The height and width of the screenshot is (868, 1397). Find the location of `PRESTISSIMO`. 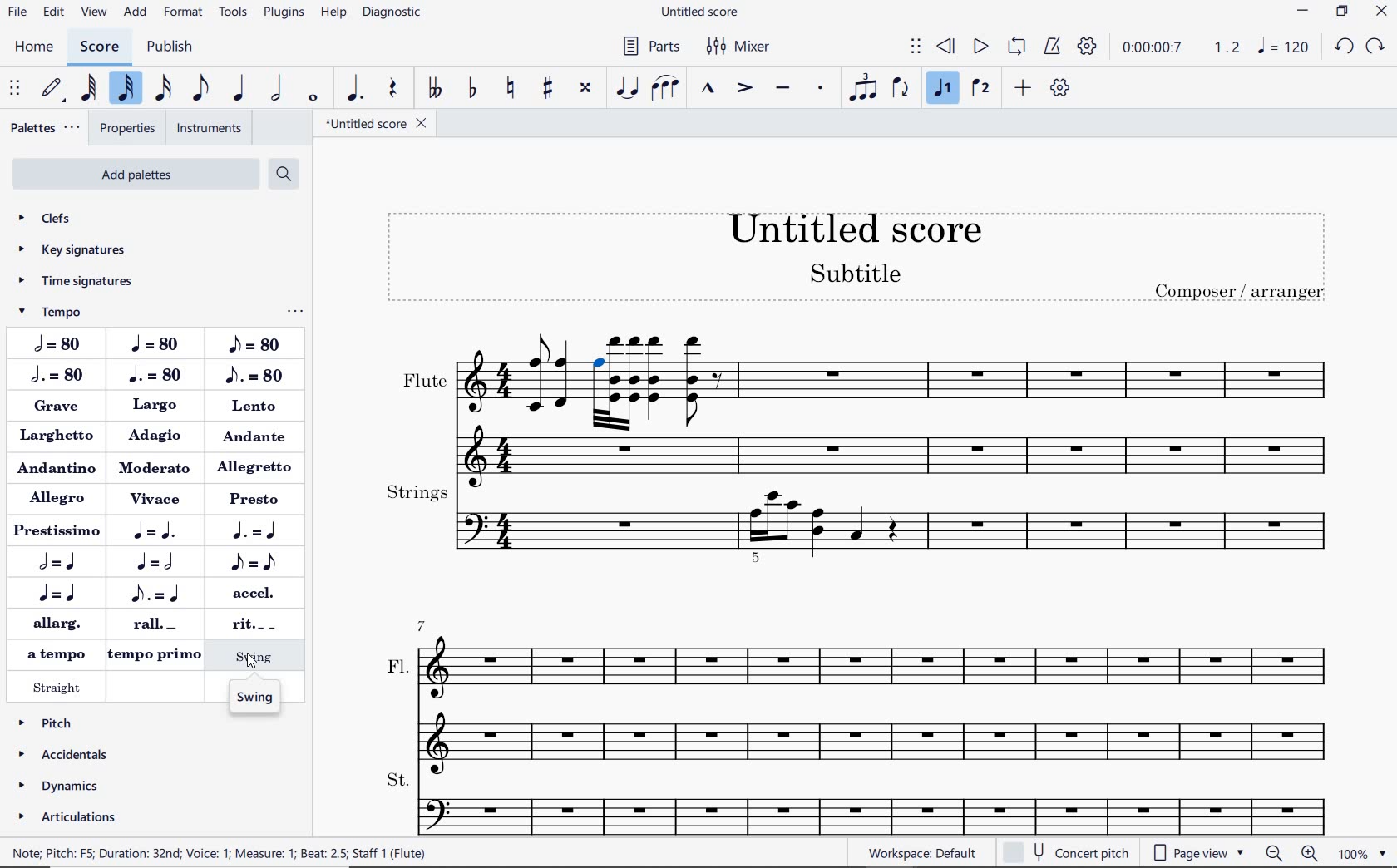

PRESTISSIMO is located at coordinates (56, 531).